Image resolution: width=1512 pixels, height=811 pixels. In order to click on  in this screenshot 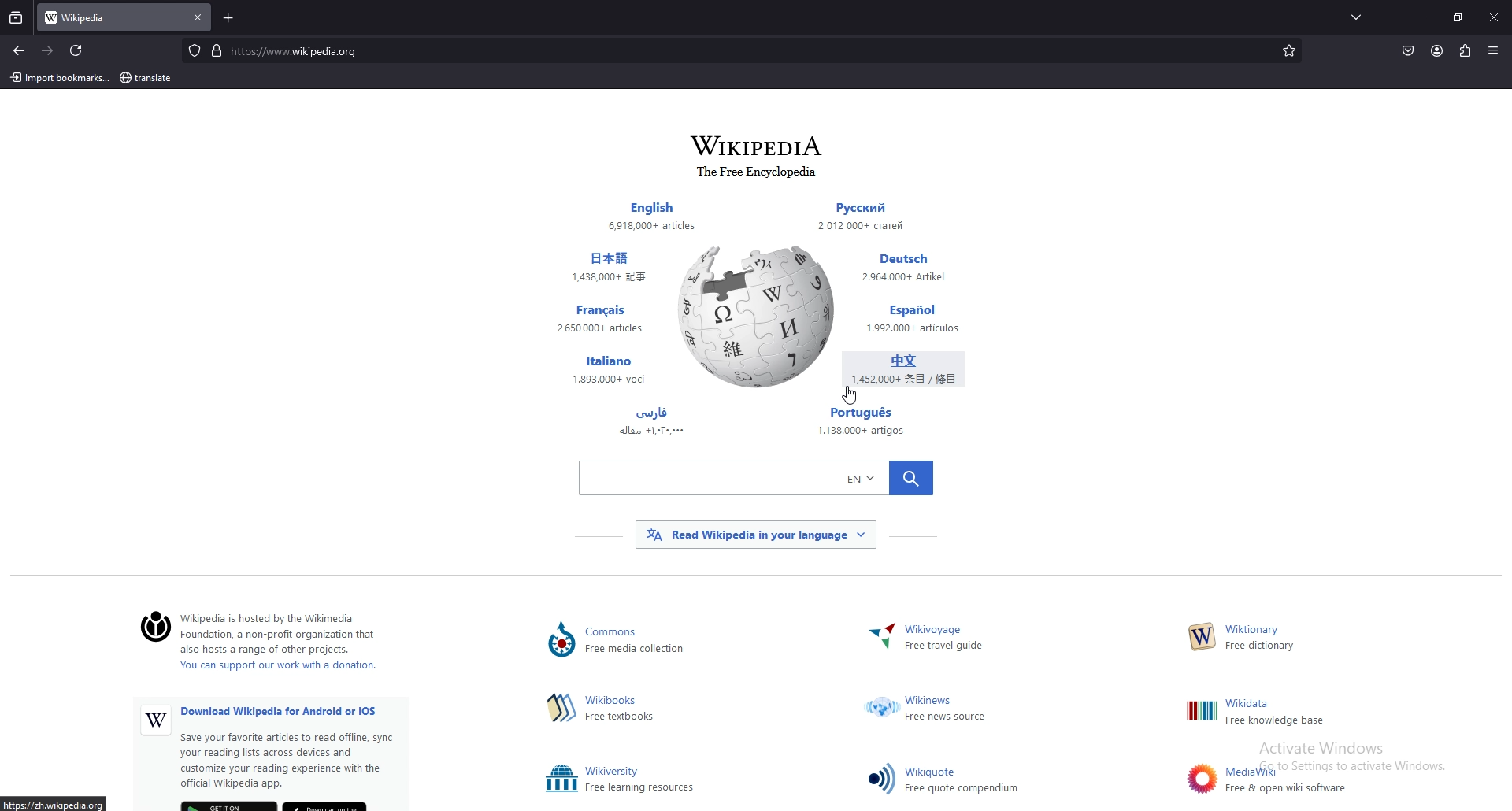, I will do `click(849, 395)`.